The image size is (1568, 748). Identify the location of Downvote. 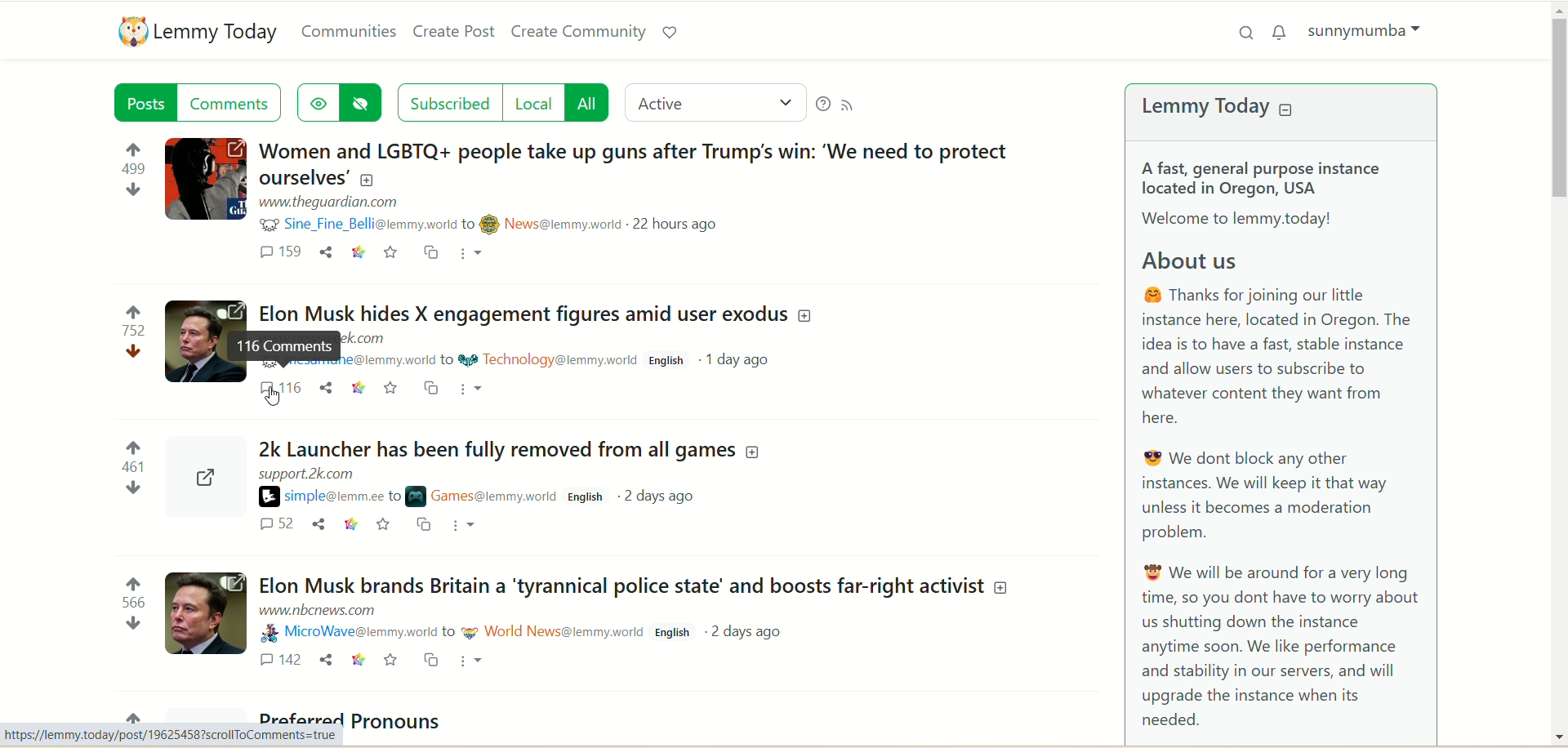
(131, 488).